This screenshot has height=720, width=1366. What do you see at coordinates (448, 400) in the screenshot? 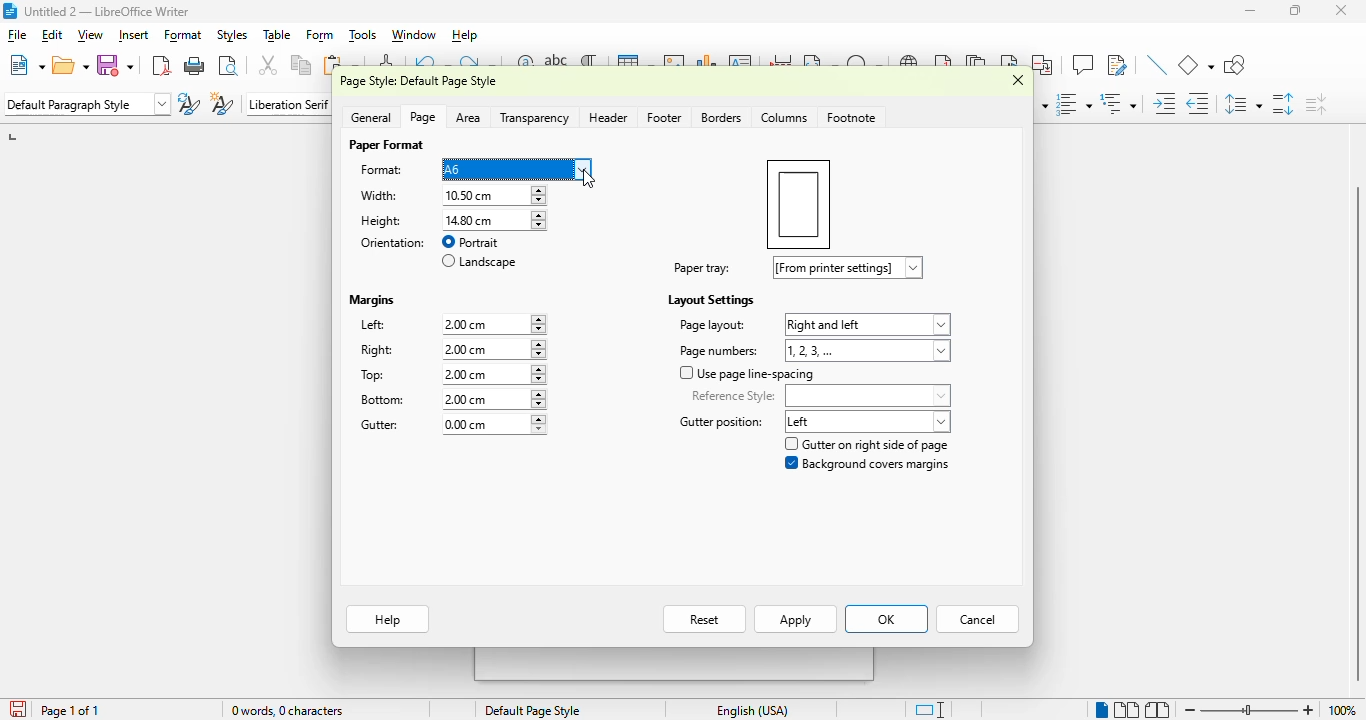
I see `bottom: 2.00 cm` at bounding box center [448, 400].